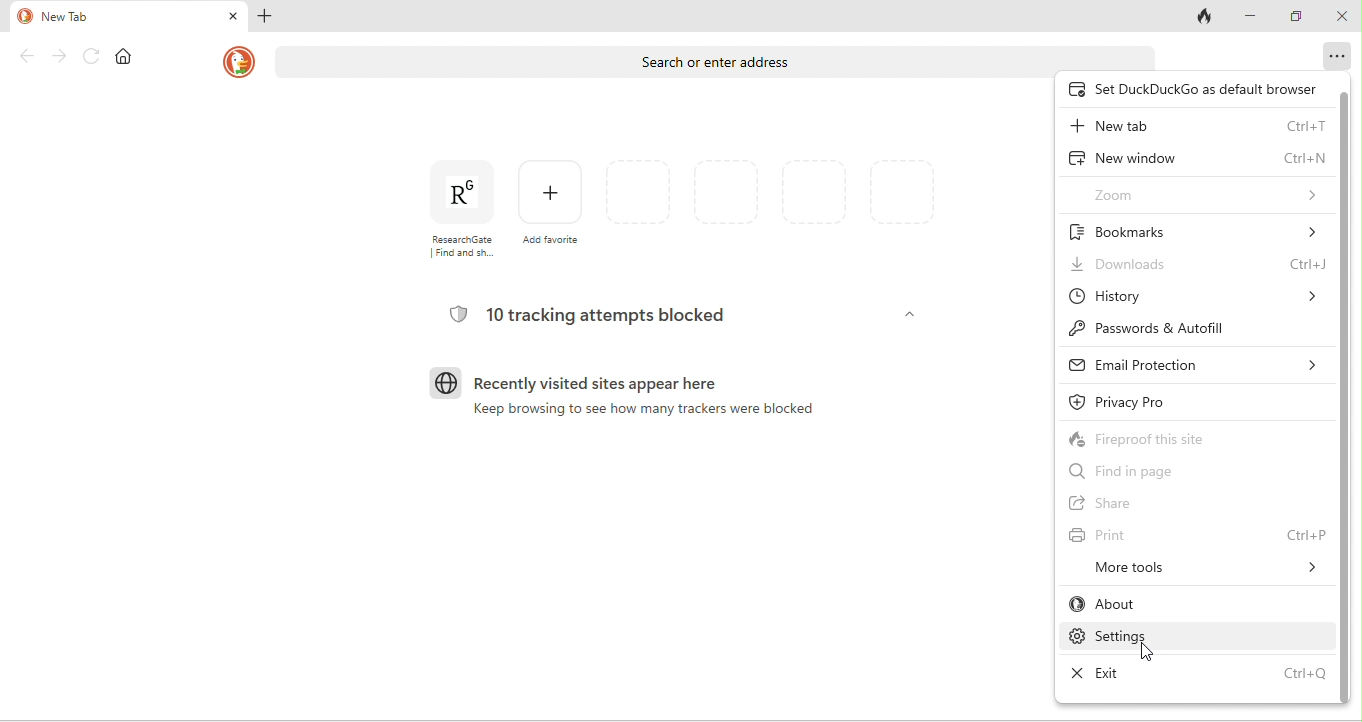  I want to click on downloads, so click(1196, 261).